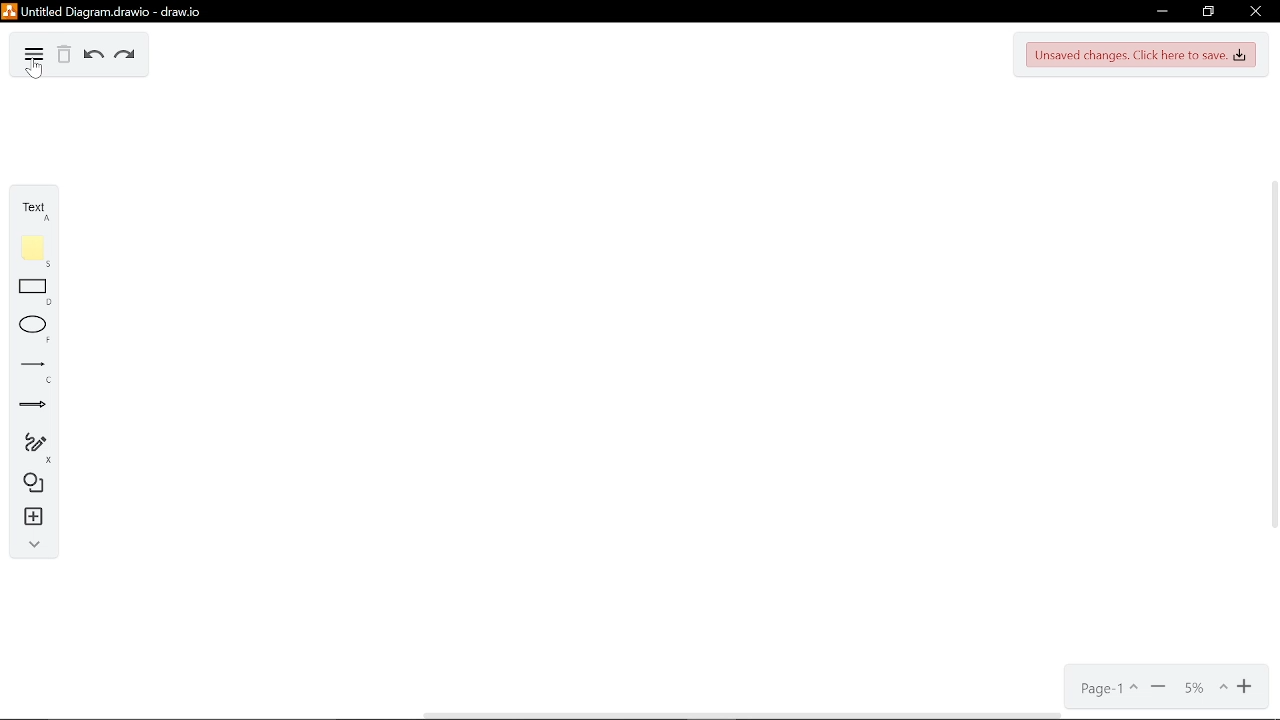 The height and width of the screenshot is (720, 1280). What do you see at coordinates (1208, 11) in the screenshot?
I see `Restore down` at bounding box center [1208, 11].